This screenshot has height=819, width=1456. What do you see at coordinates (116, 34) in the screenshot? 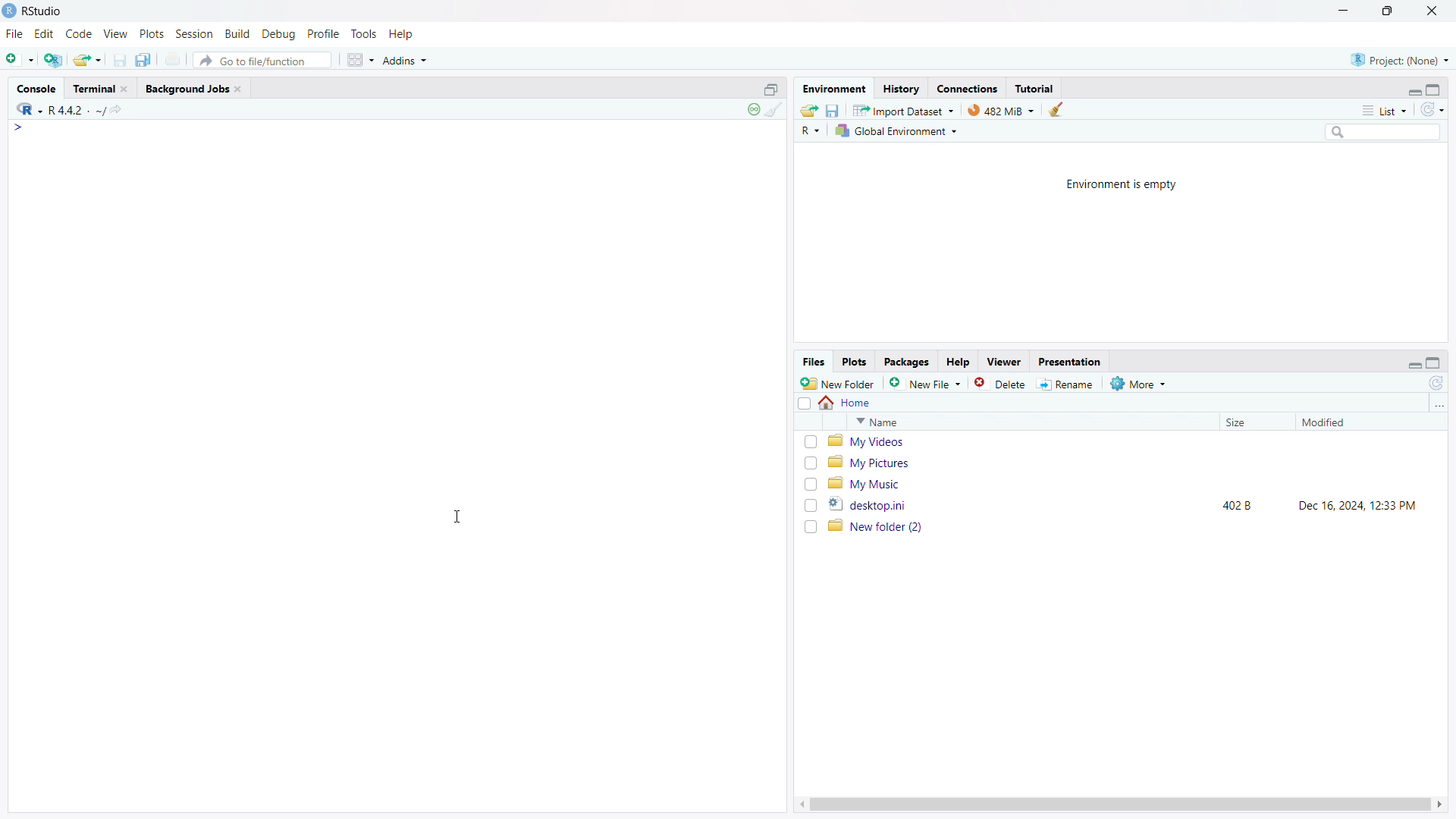
I see `view` at bounding box center [116, 34].